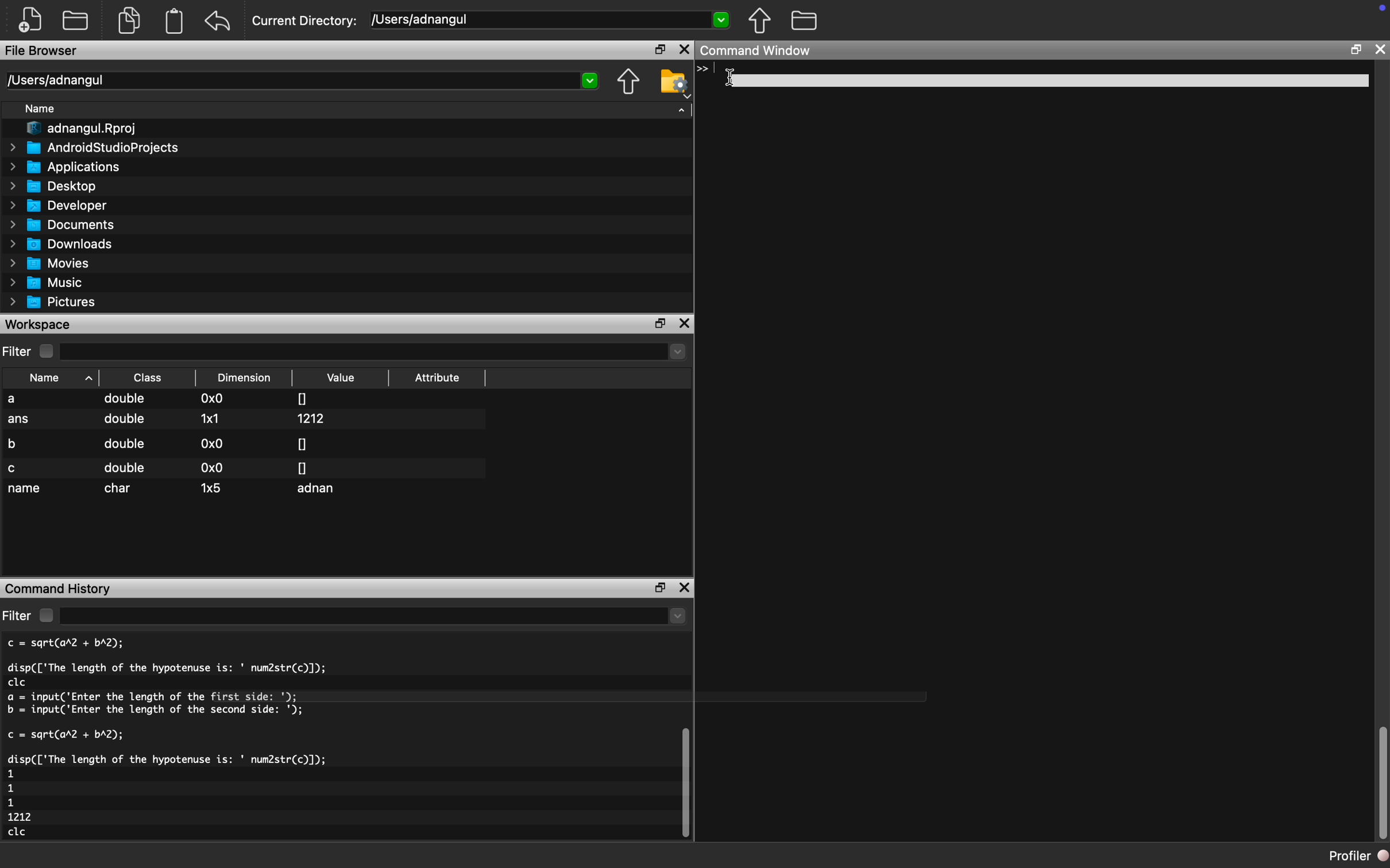 The height and width of the screenshot is (868, 1390). What do you see at coordinates (121, 489) in the screenshot?
I see `char` at bounding box center [121, 489].